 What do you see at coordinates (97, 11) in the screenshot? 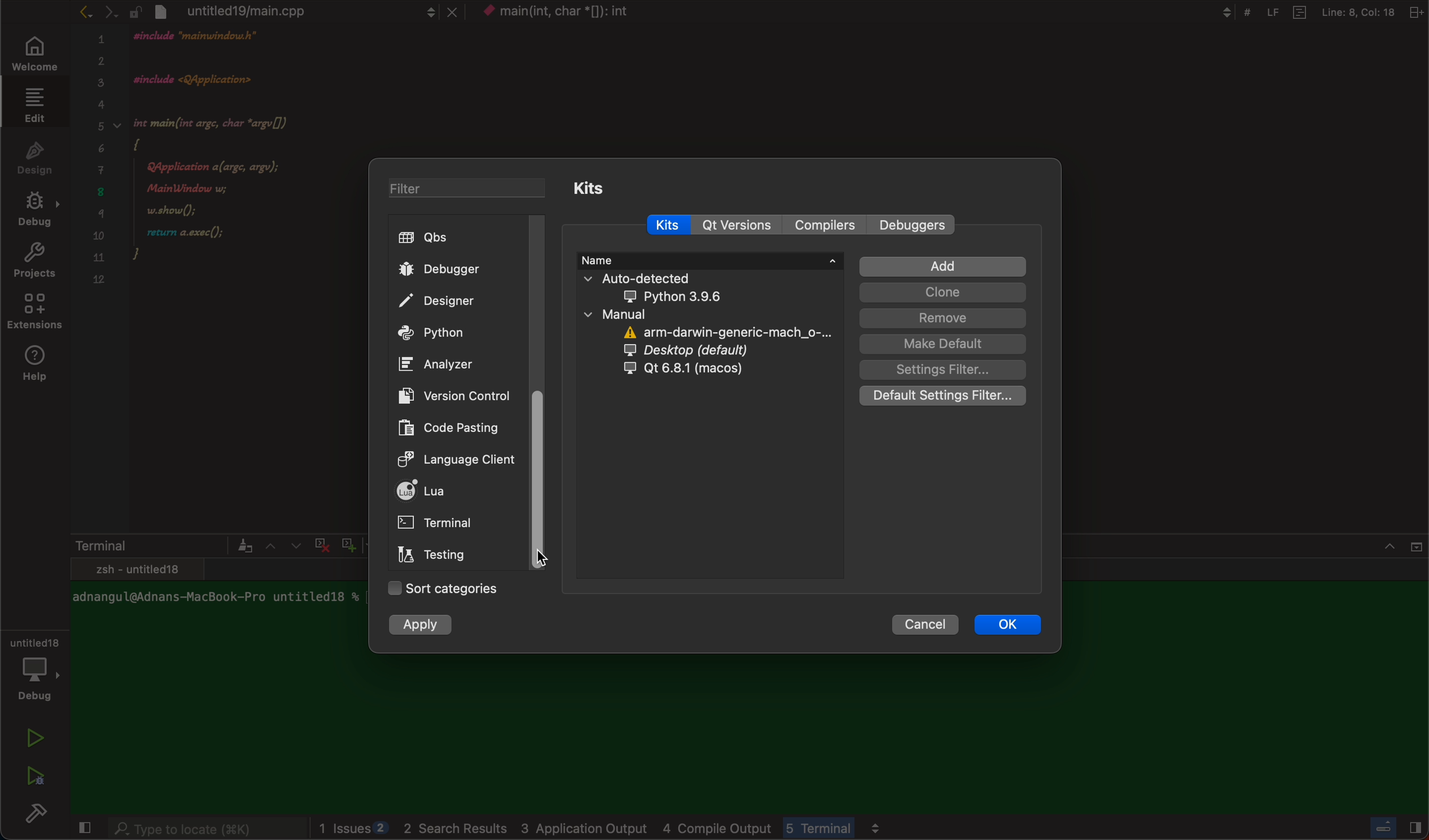
I see `arrows` at bounding box center [97, 11].